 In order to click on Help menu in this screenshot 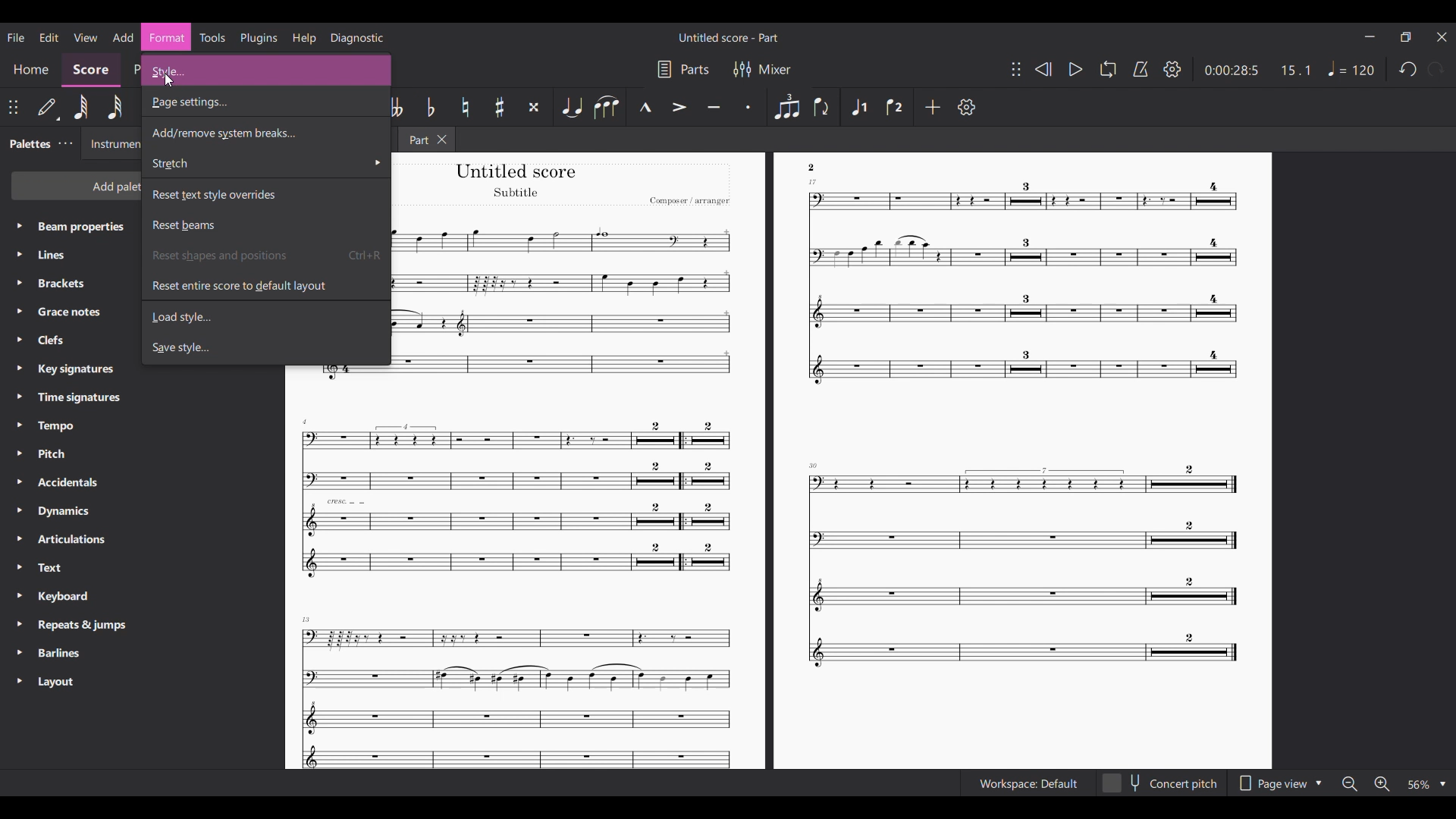, I will do `click(303, 39)`.